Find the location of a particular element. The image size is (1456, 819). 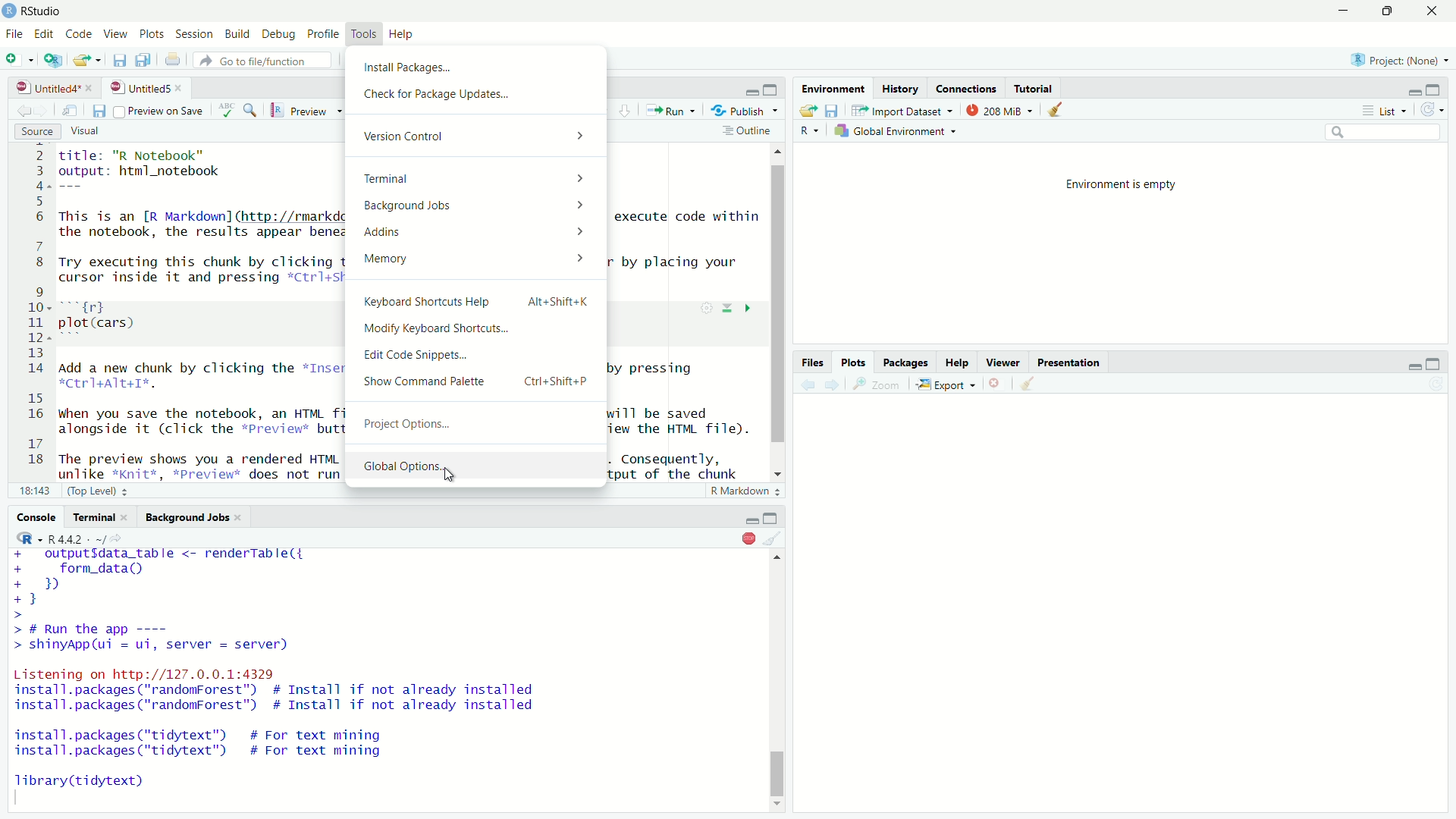

scrollbar up is located at coordinates (778, 152).